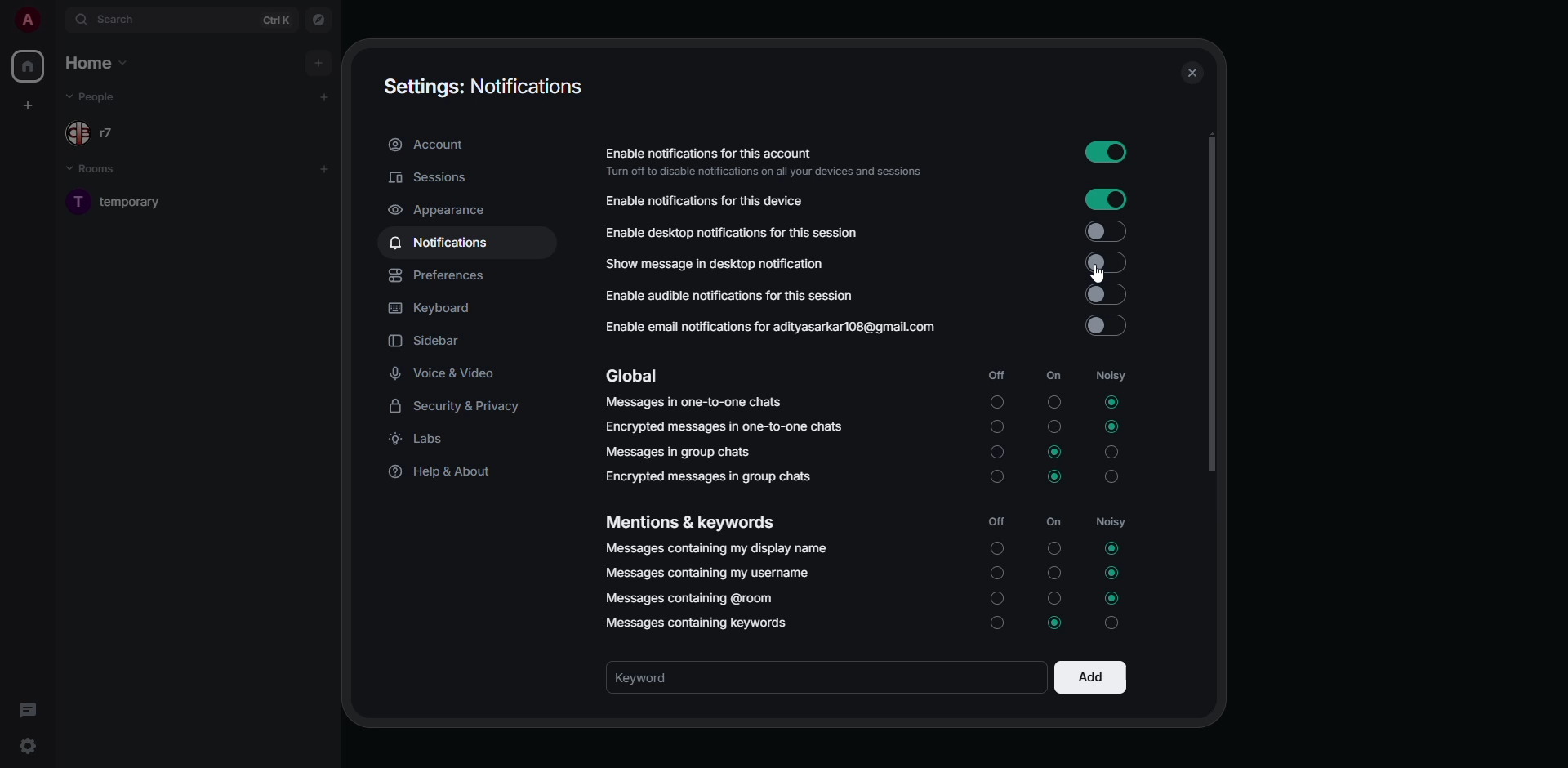 This screenshot has height=768, width=1568. Describe the element at coordinates (997, 373) in the screenshot. I see `off` at that location.